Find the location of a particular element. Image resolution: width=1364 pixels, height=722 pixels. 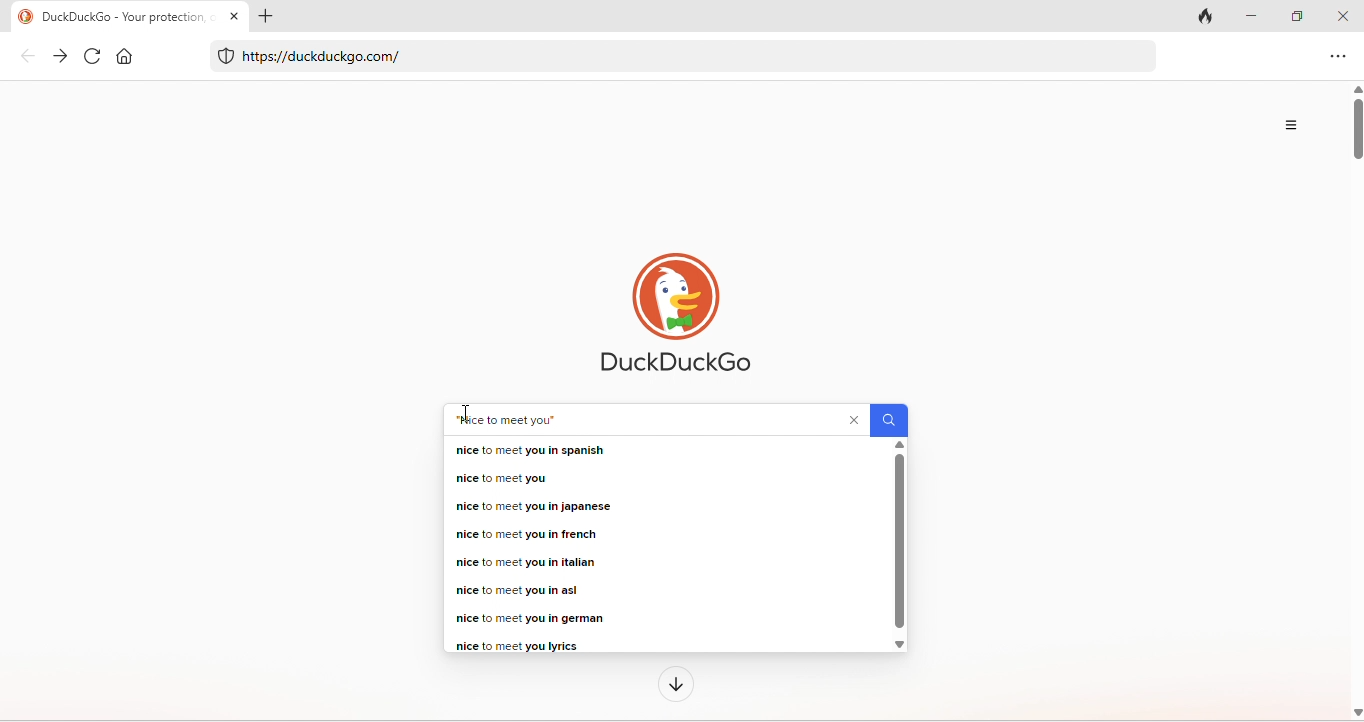

track tab is located at coordinates (1202, 16).